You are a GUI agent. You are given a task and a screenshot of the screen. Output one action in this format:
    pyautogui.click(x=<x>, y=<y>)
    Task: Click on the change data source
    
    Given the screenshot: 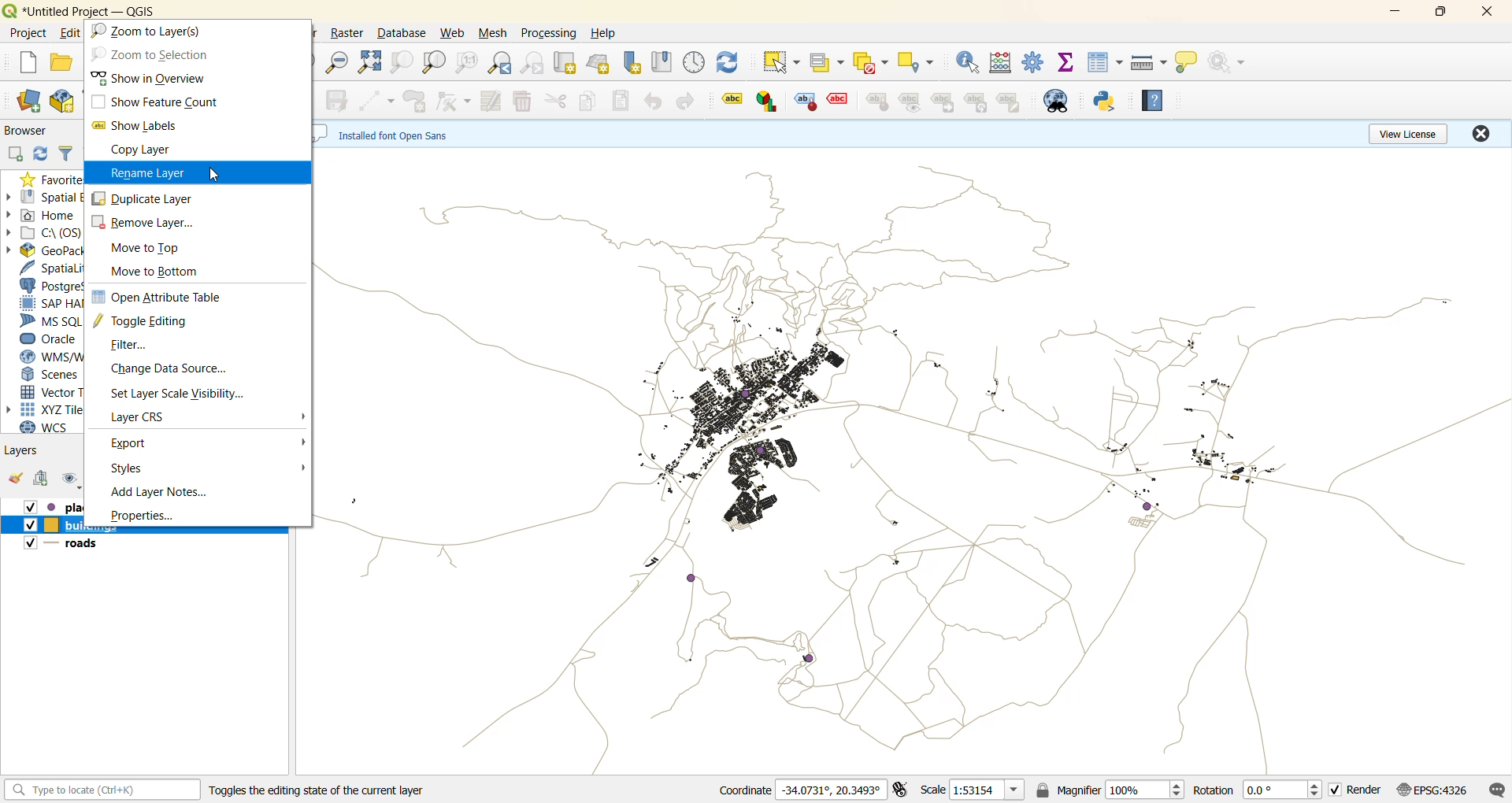 What is the action you would take?
    pyautogui.click(x=167, y=365)
    